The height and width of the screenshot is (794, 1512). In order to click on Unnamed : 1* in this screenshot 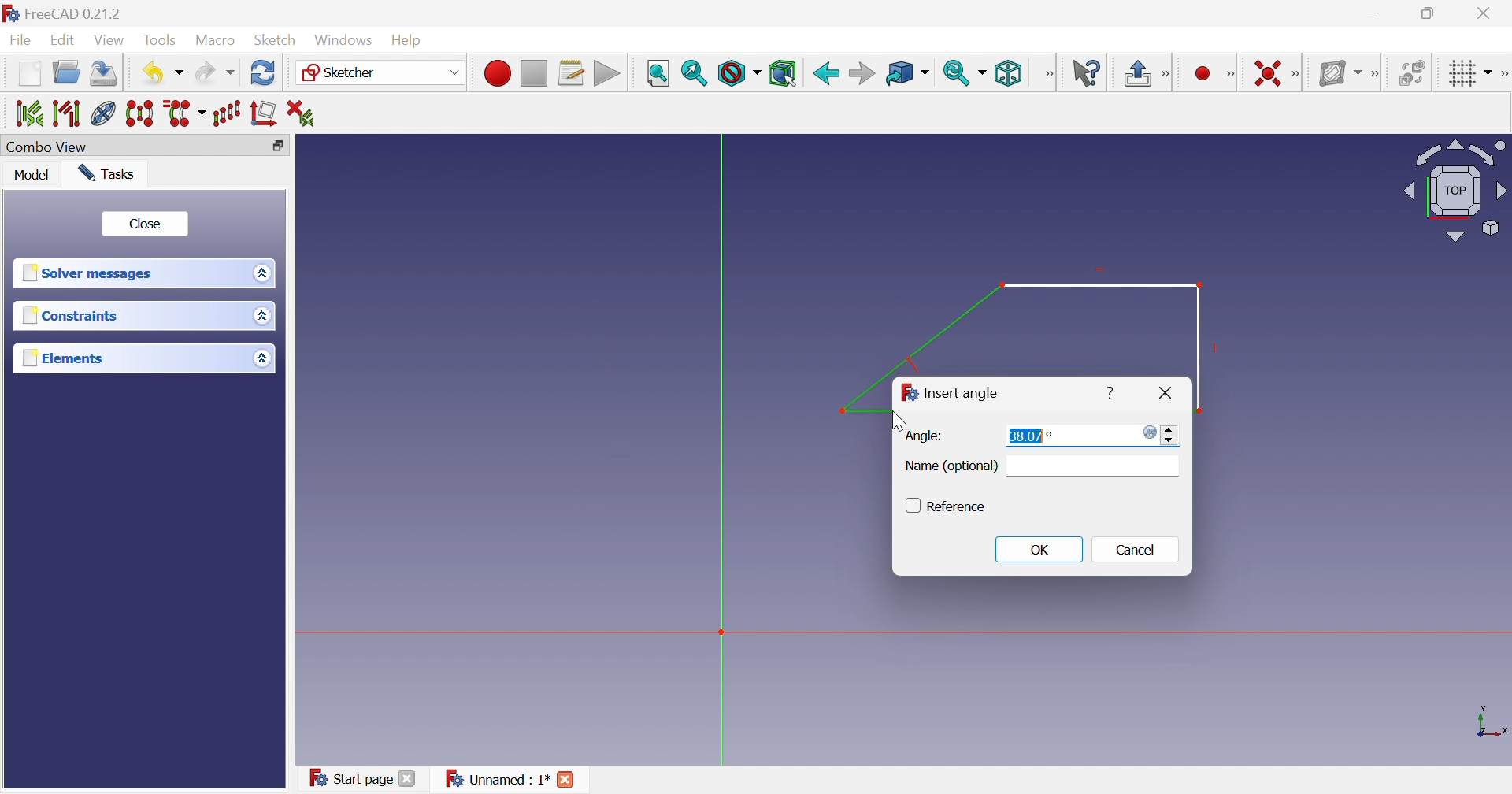, I will do `click(497, 780)`.